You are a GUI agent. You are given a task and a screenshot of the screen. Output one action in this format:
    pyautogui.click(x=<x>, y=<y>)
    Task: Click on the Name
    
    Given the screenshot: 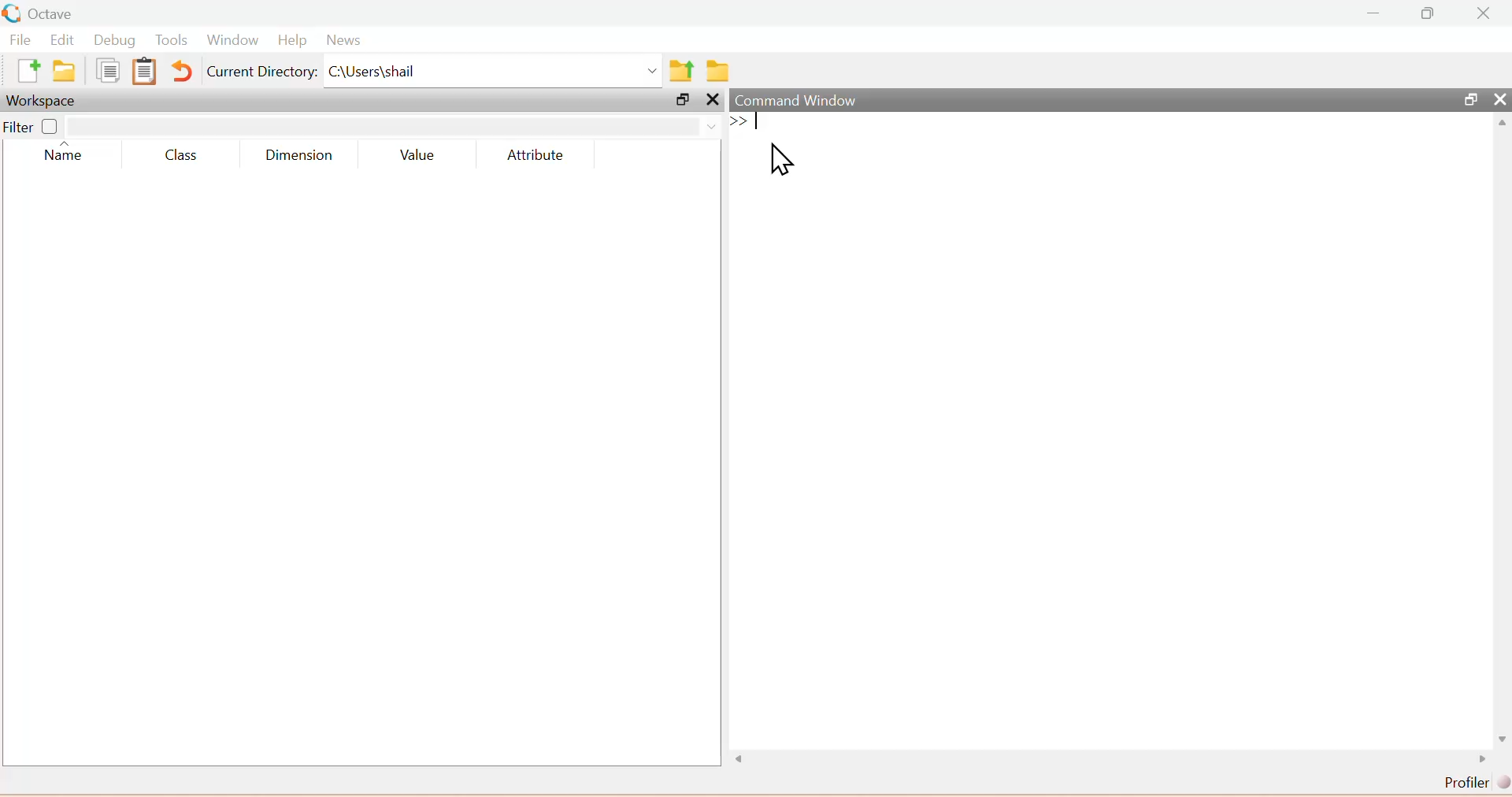 What is the action you would take?
    pyautogui.click(x=65, y=154)
    